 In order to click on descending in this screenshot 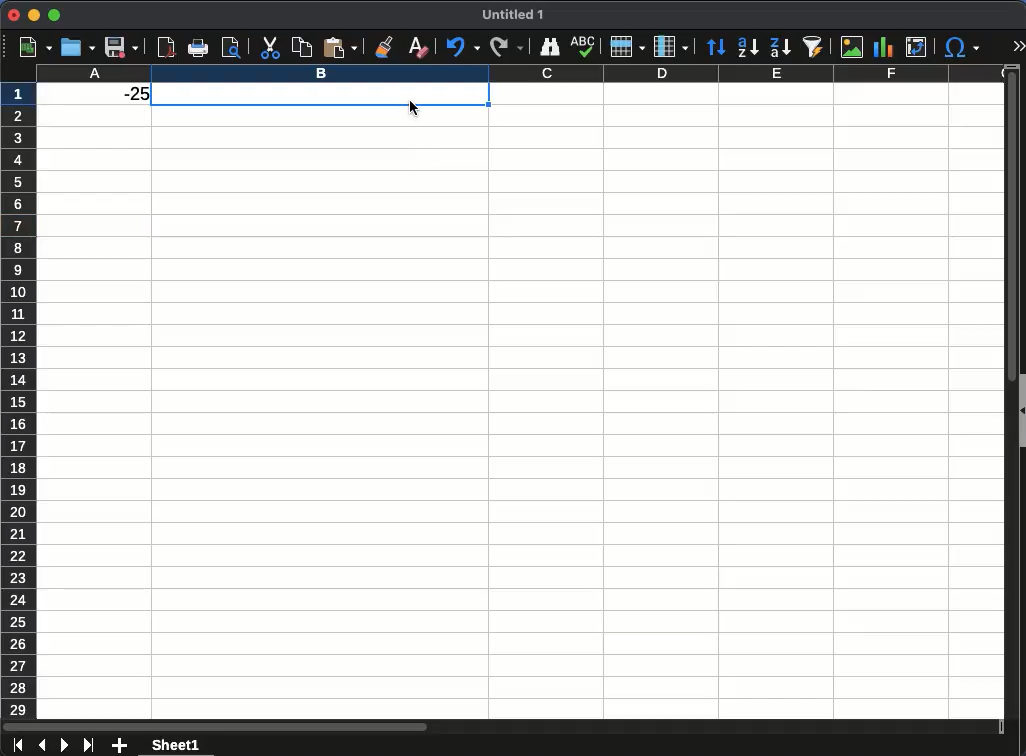, I will do `click(782, 47)`.